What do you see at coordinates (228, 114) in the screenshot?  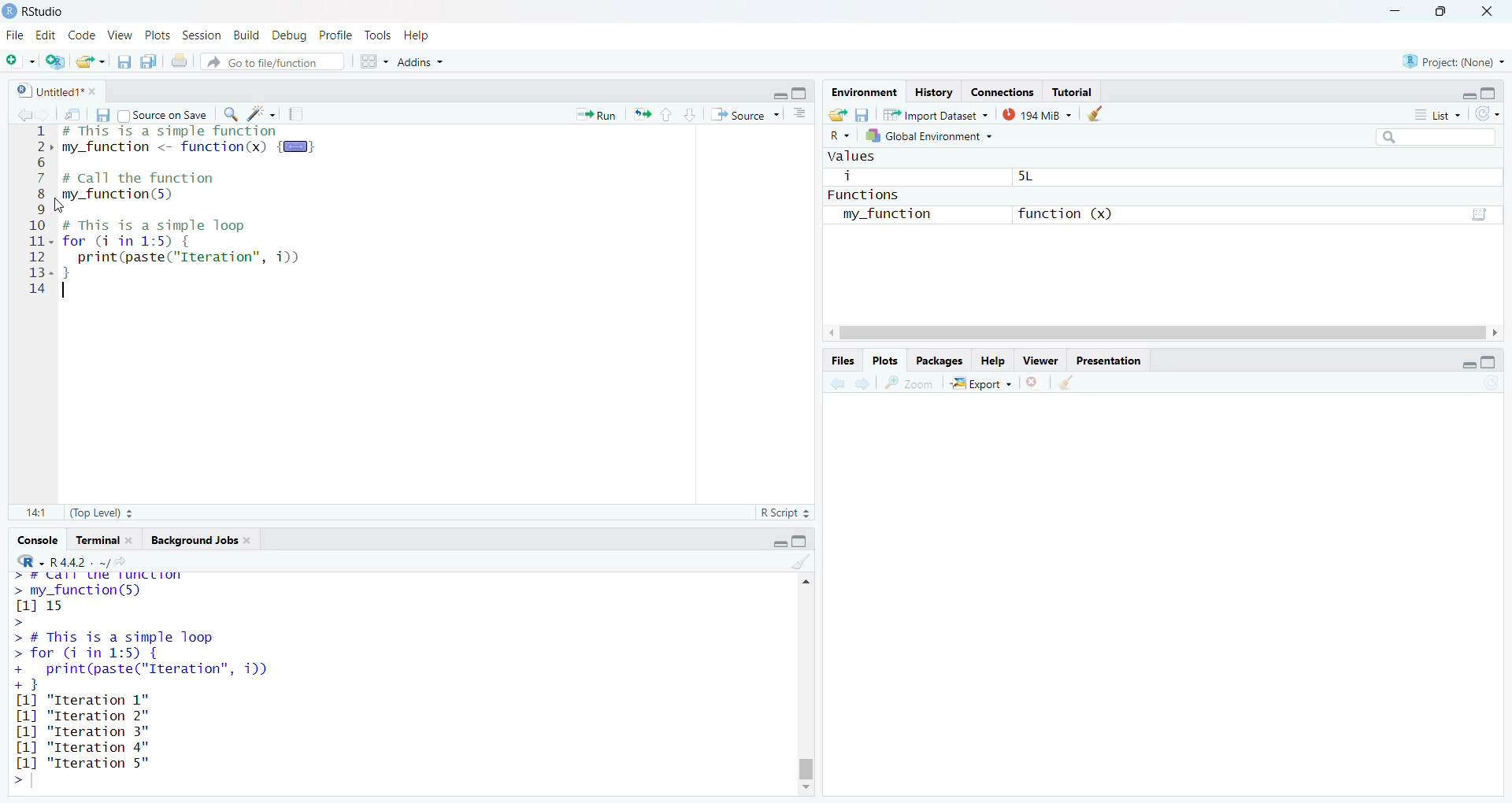 I see `find/replace` at bounding box center [228, 114].